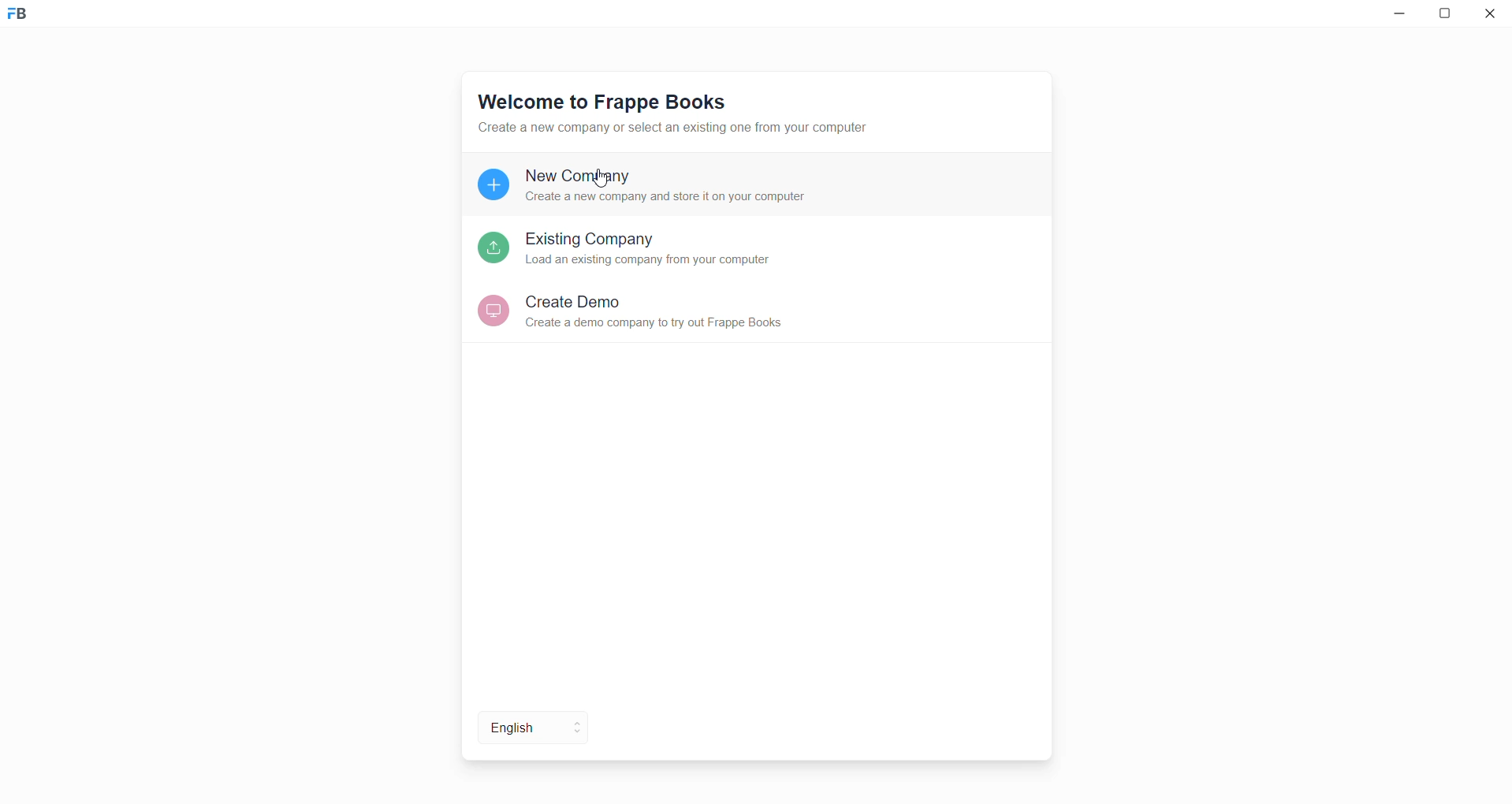  Describe the element at coordinates (684, 312) in the screenshot. I see `Create demo company ` at that location.